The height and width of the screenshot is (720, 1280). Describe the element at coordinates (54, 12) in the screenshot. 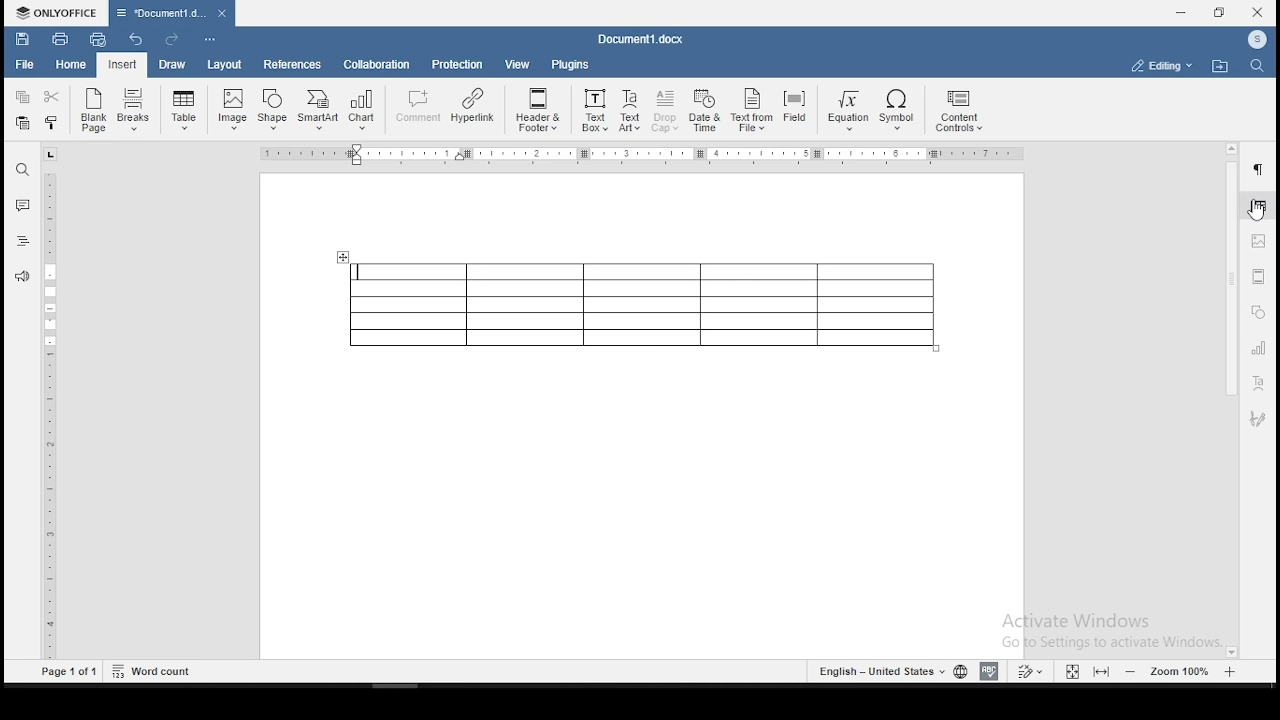

I see `ONLYOFFICE` at that location.